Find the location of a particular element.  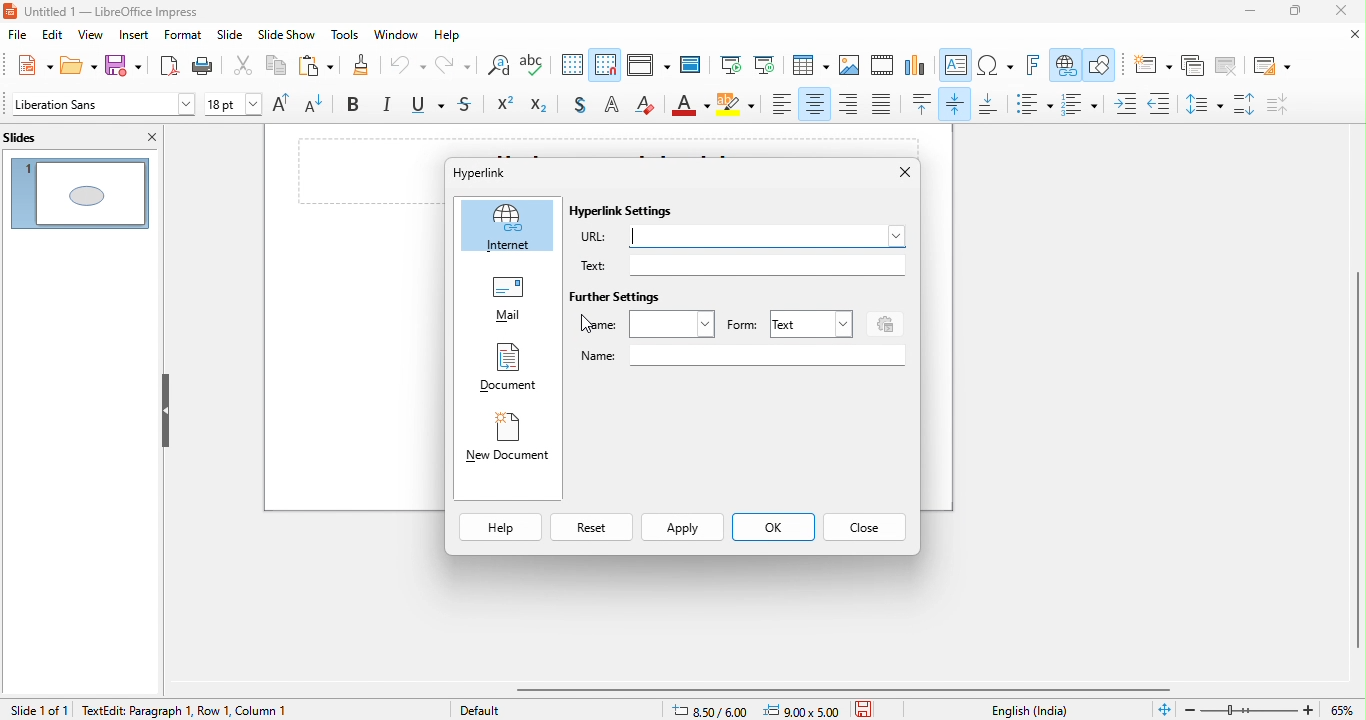

save is located at coordinates (123, 67).